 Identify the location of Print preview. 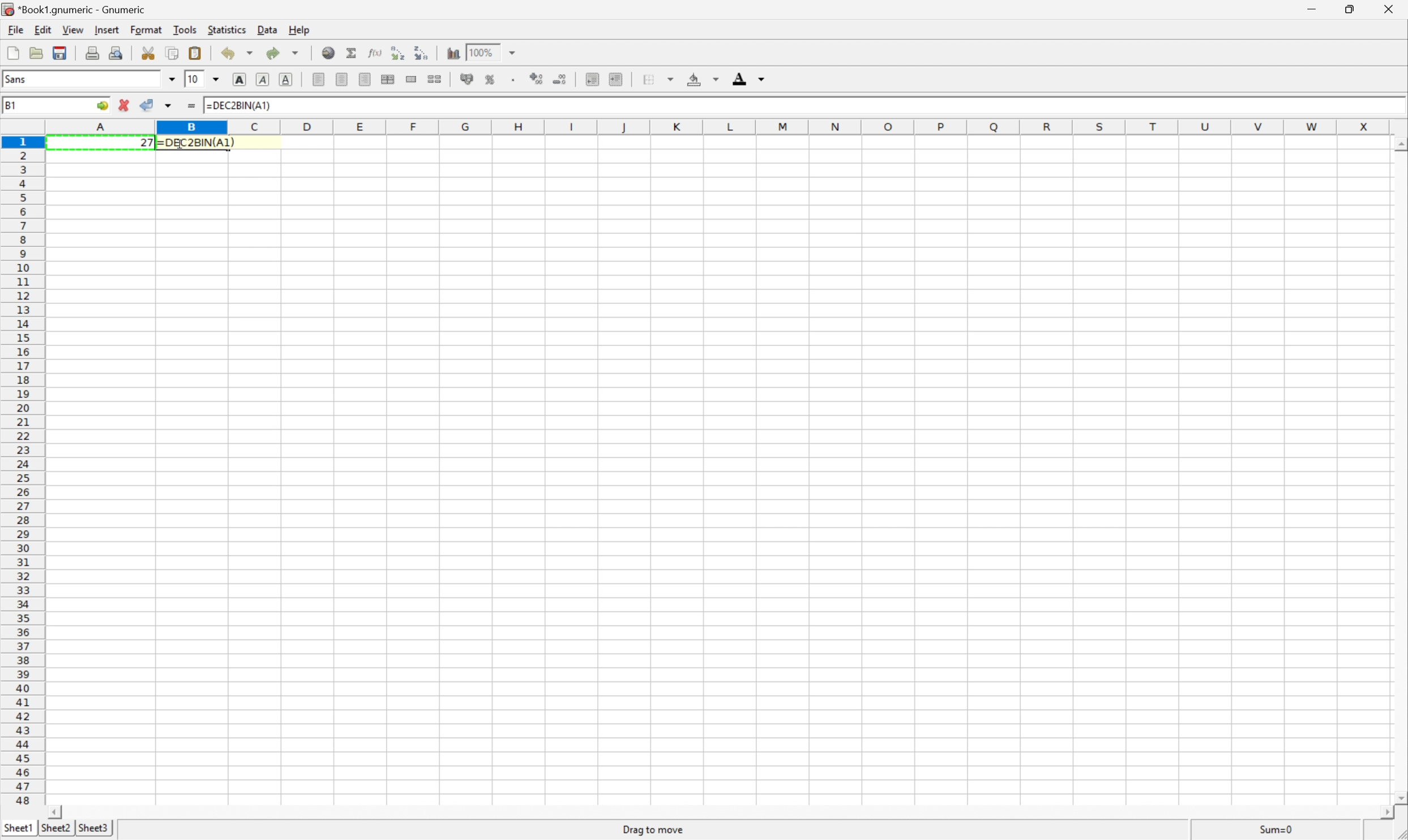
(116, 52).